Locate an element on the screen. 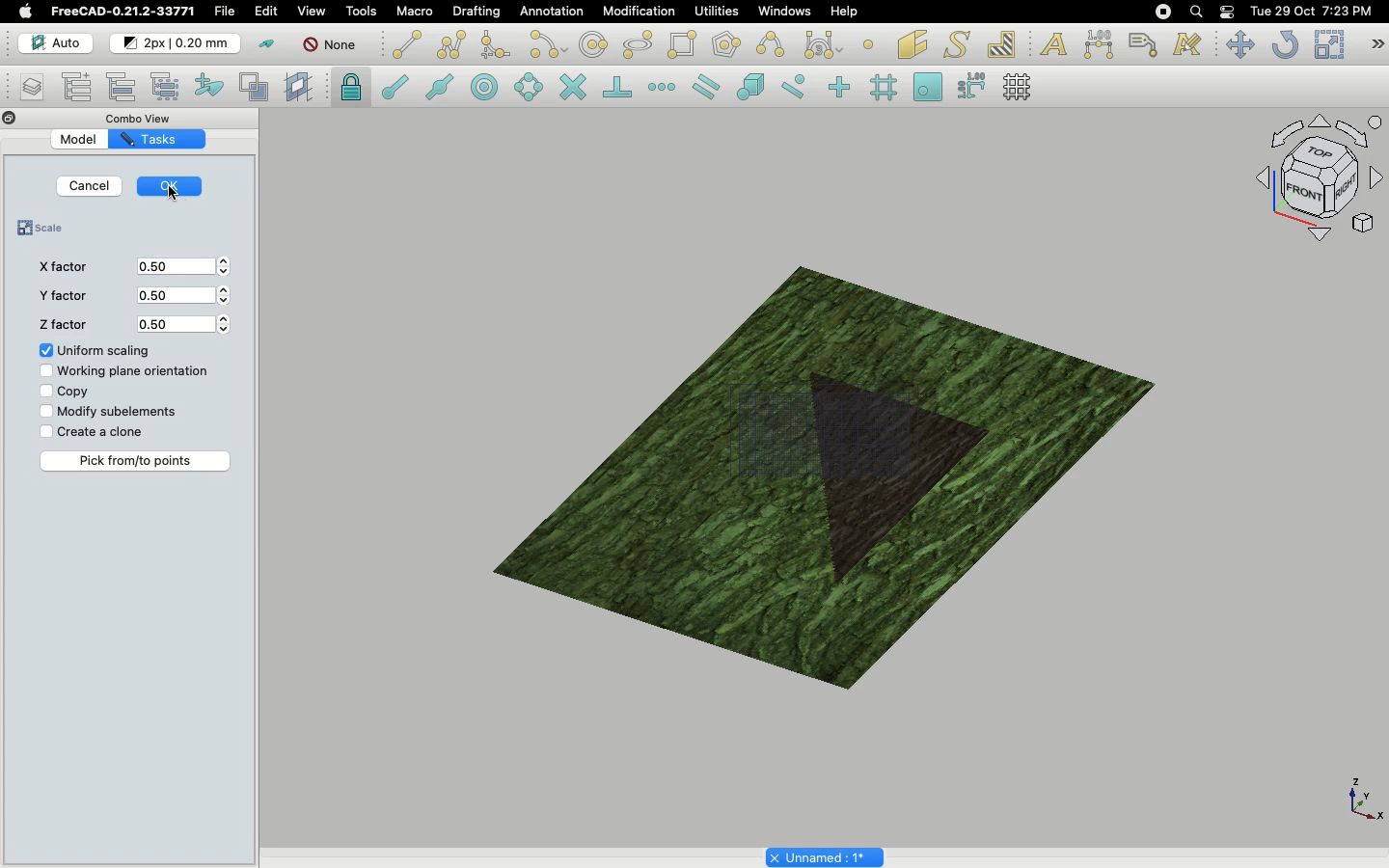 The width and height of the screenshot is (1389, 868). None is located at coordinates (329, 46).